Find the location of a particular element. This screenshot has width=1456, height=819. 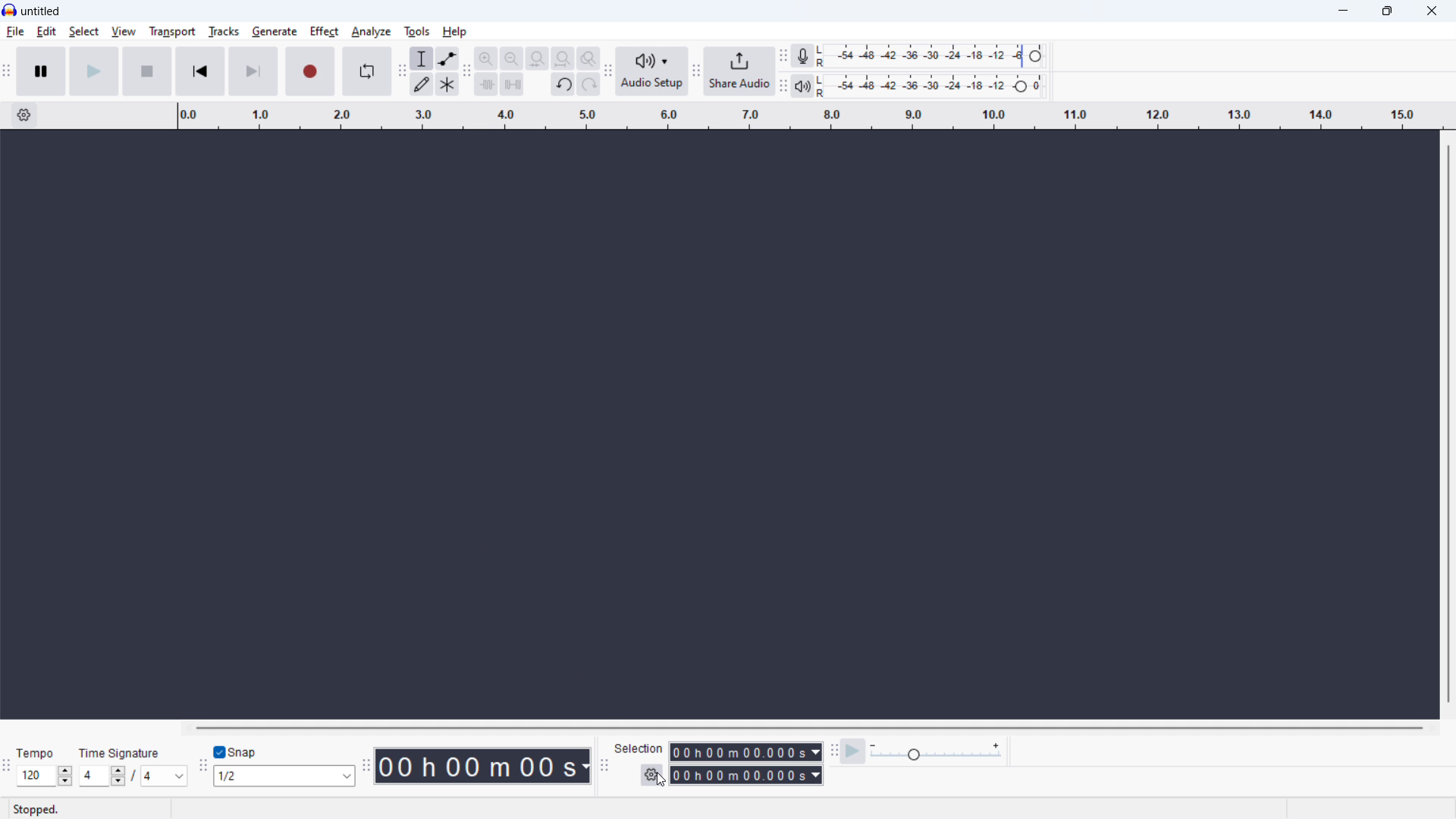

tools toolbar is located at coordinates (400, 72).